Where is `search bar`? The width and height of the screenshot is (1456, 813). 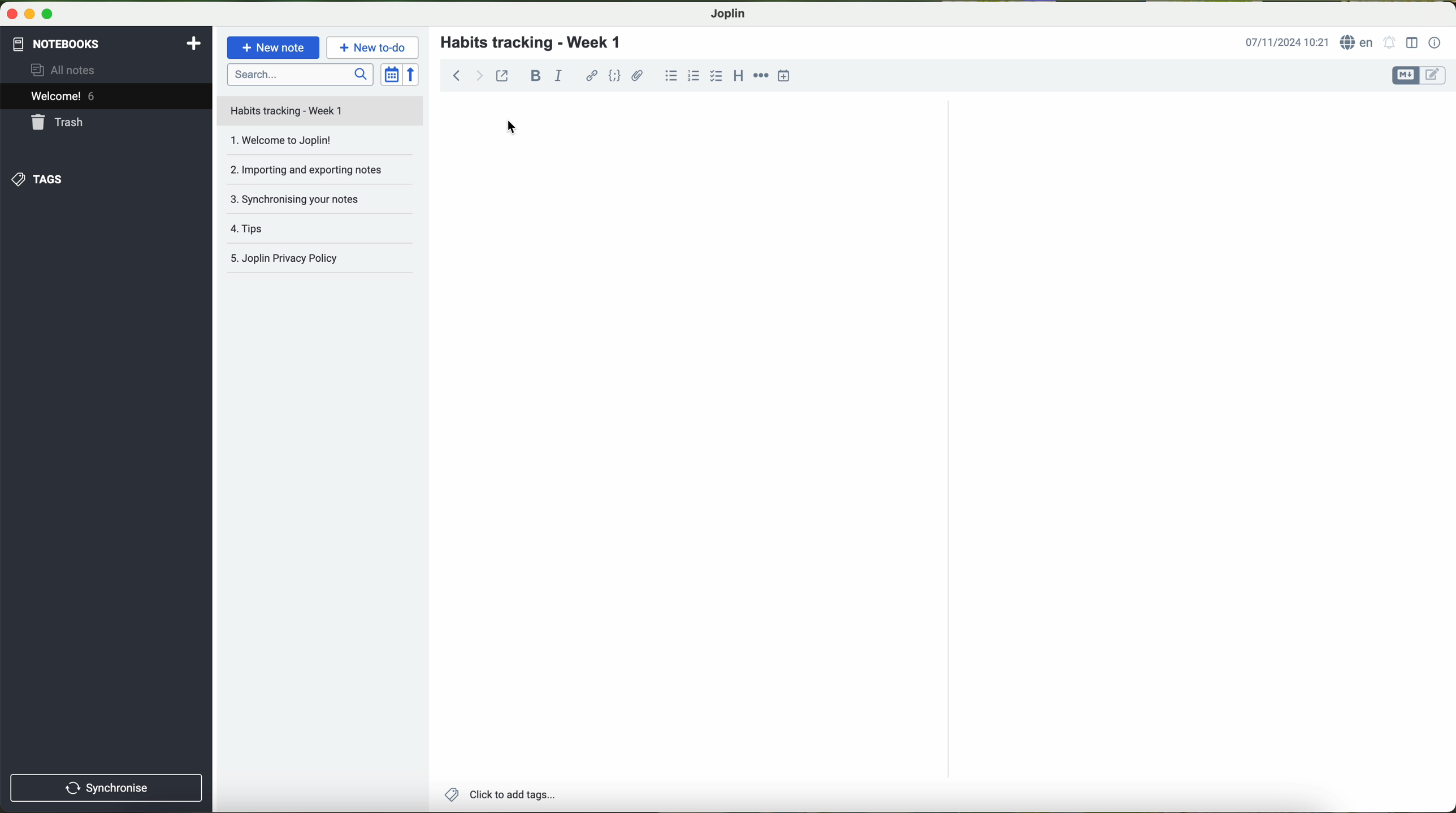 search bar is located at coordinates (299, 74).